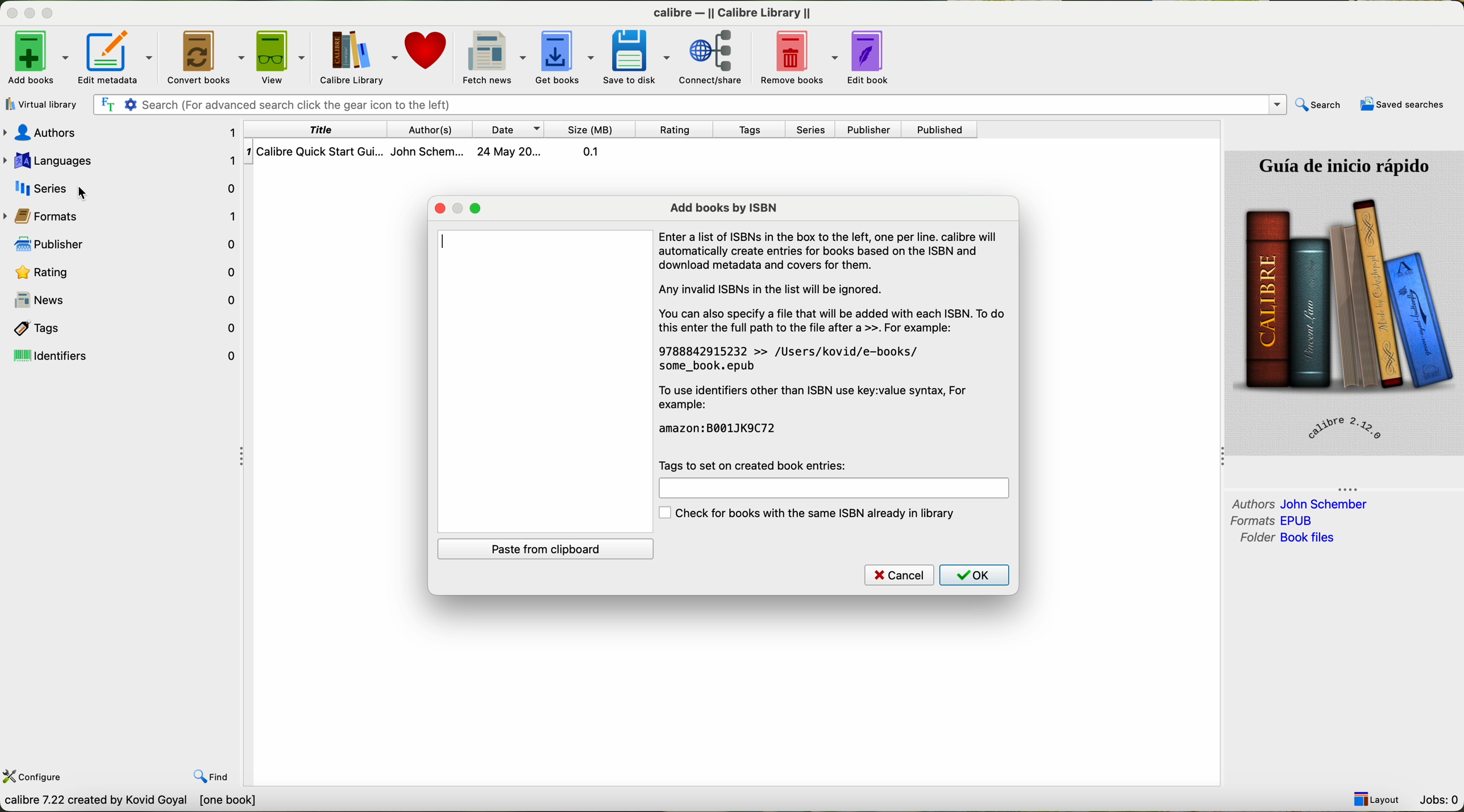 This screenshot has width=1464, height=812. I want to click on OK button, so click(974, 576).